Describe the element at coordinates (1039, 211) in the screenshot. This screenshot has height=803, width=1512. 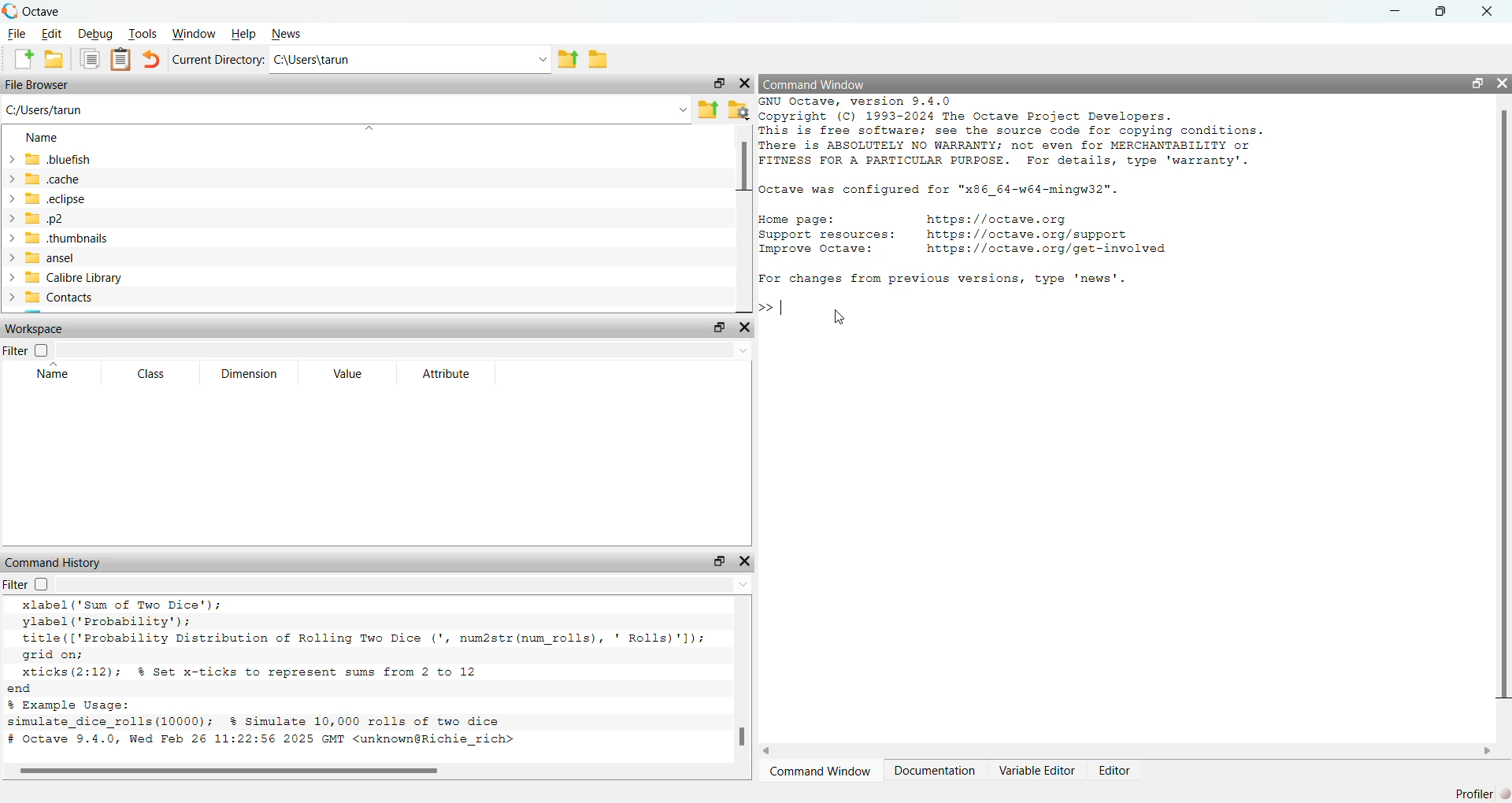
I see `GNU Octave, Version 9.4.0 § copyright (C) 1993-2024 The octave Project Developers.This is free software; see the source code for copying conditions.There is ABSOLUTELY NO WARRANTY; not even for MERCHANTABILITY orFITNESS FOR A PARTICULAR PURPOSE. For details, type 'warranty'.octave was configured for "x86_64-w64-mingw32".Home page: https://octave.orgSupport resources:  https://octave.org/supportImprove Octave: https://octave.org/get-involvedFor changes from previous versions, type 'news'.` at that location.